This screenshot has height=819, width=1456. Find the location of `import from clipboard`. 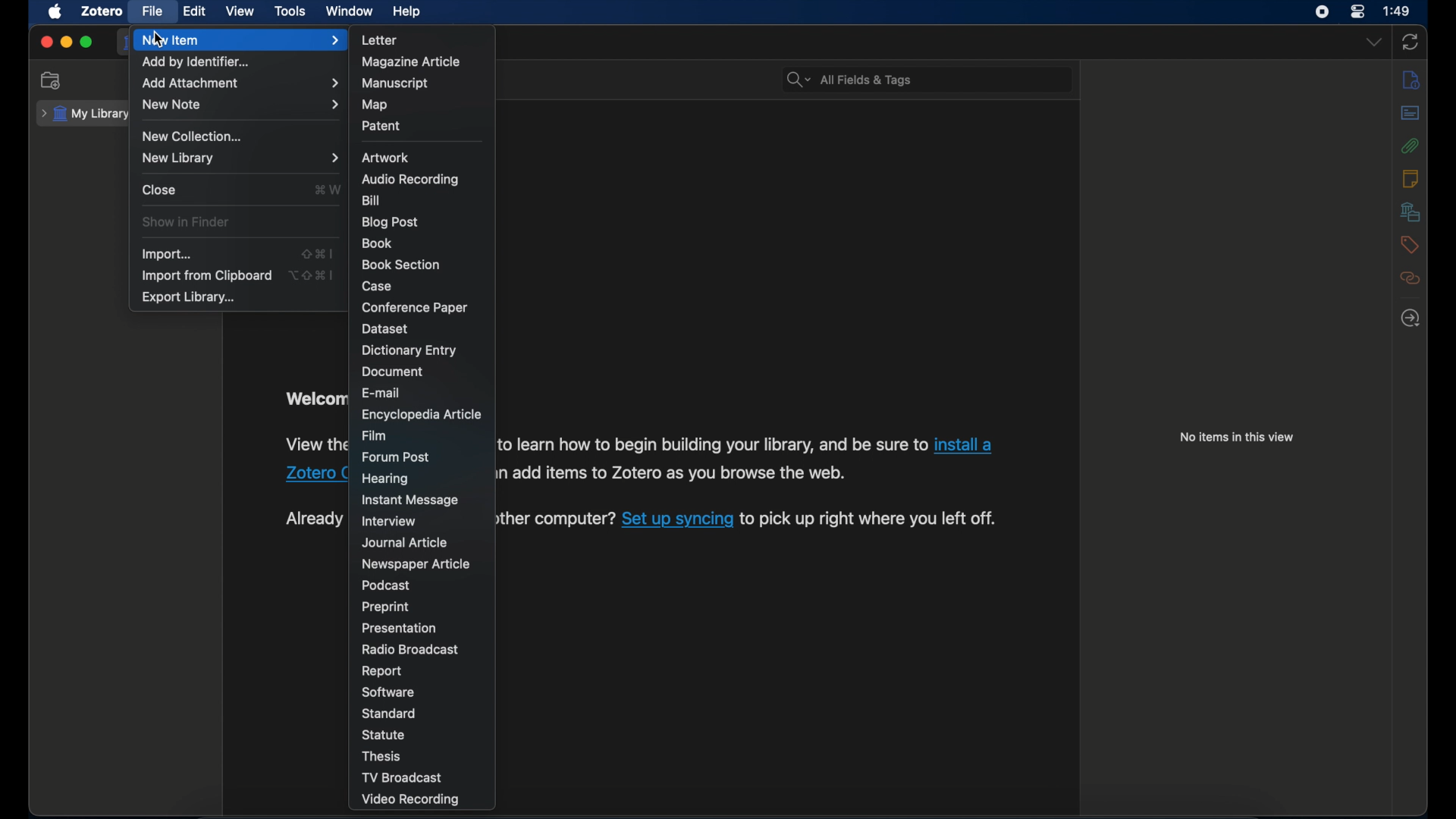

import from clipboard is located at coordinates (206, 276).